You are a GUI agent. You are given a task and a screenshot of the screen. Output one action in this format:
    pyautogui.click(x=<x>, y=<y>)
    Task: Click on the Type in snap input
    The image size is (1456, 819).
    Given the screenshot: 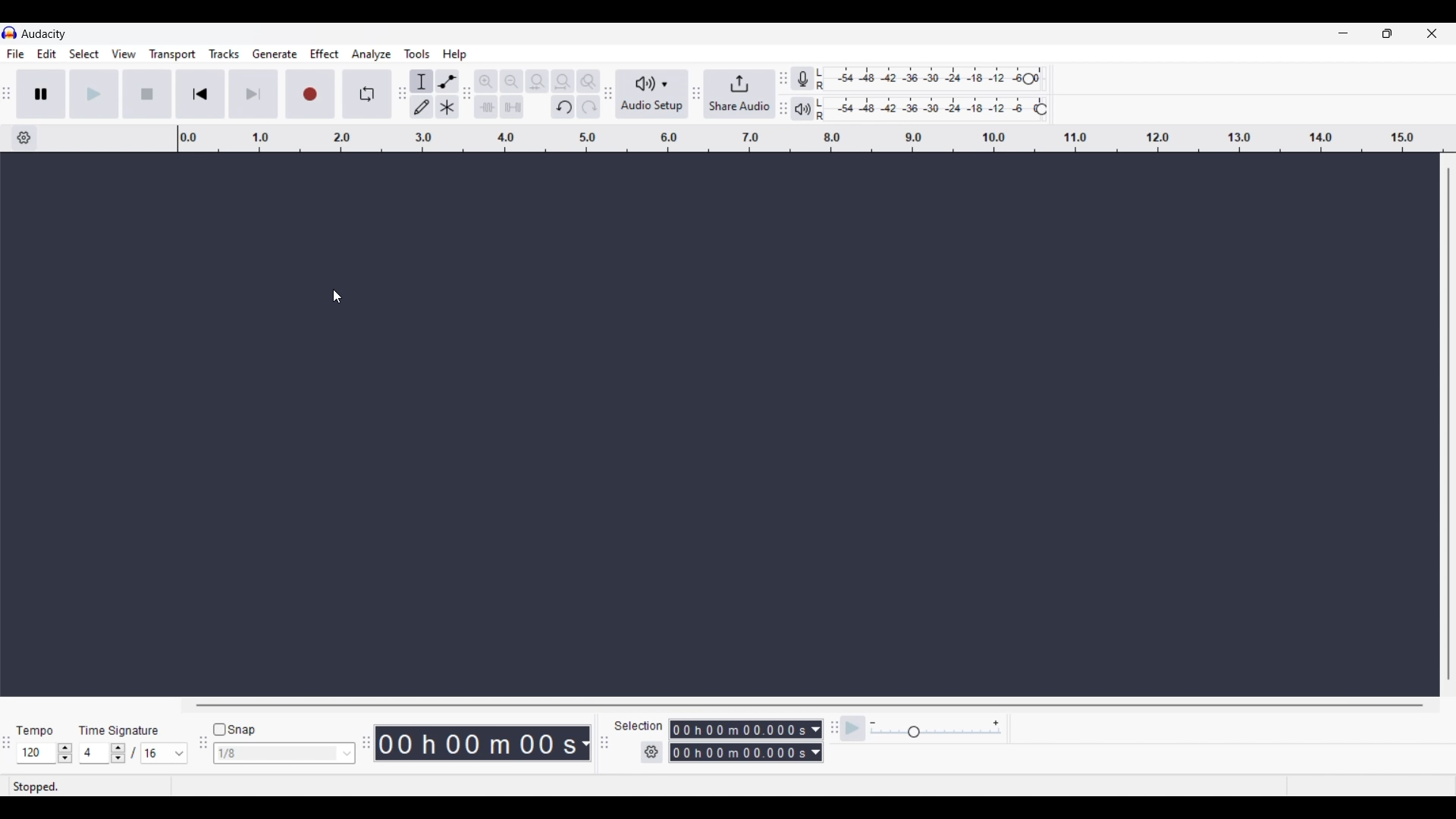 What is the action you would take?
    pyautogui.click(x=277, y=754)
    